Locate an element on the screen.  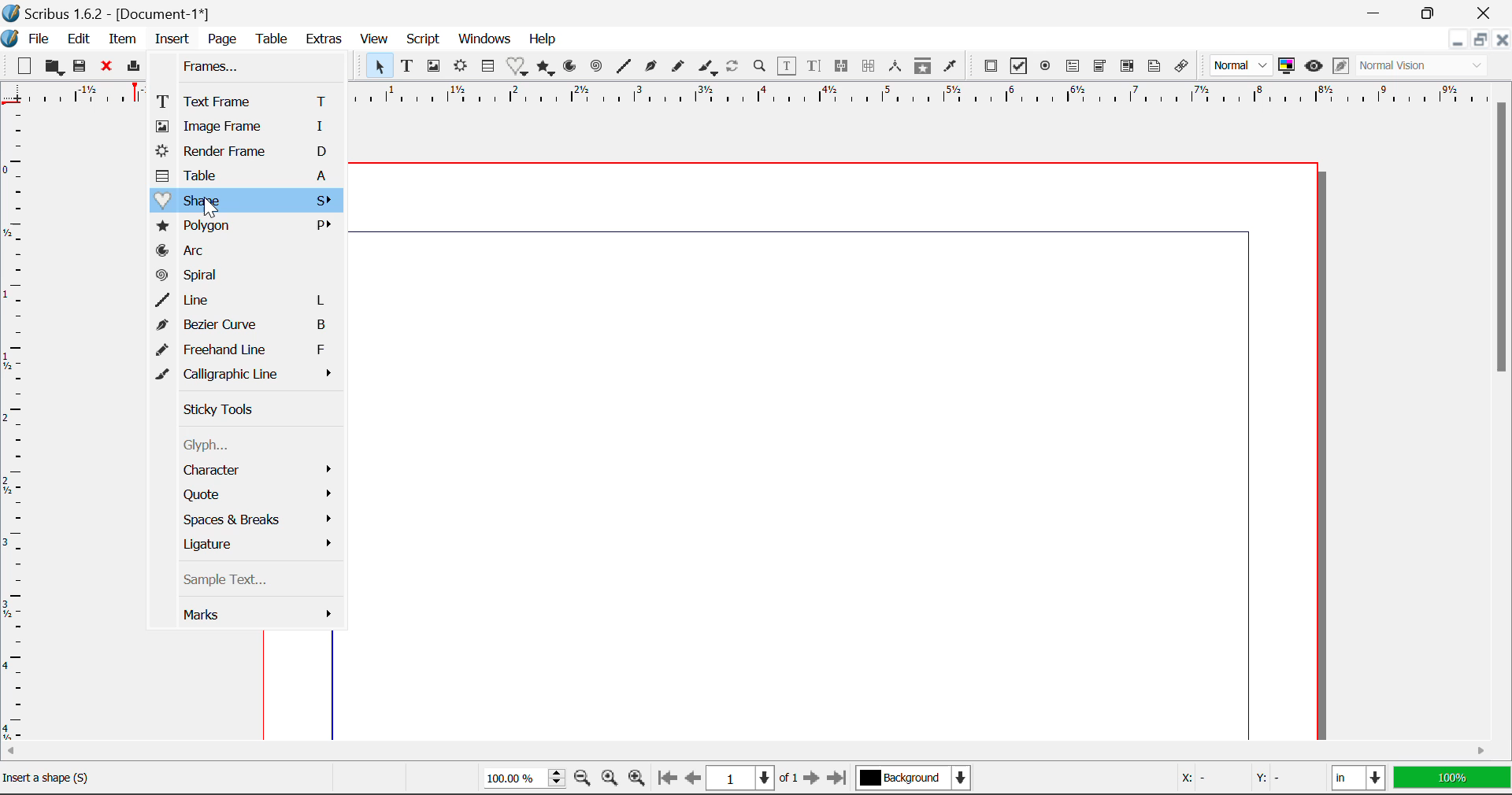
Delink Text Frames is located at coordinates (870, 66).